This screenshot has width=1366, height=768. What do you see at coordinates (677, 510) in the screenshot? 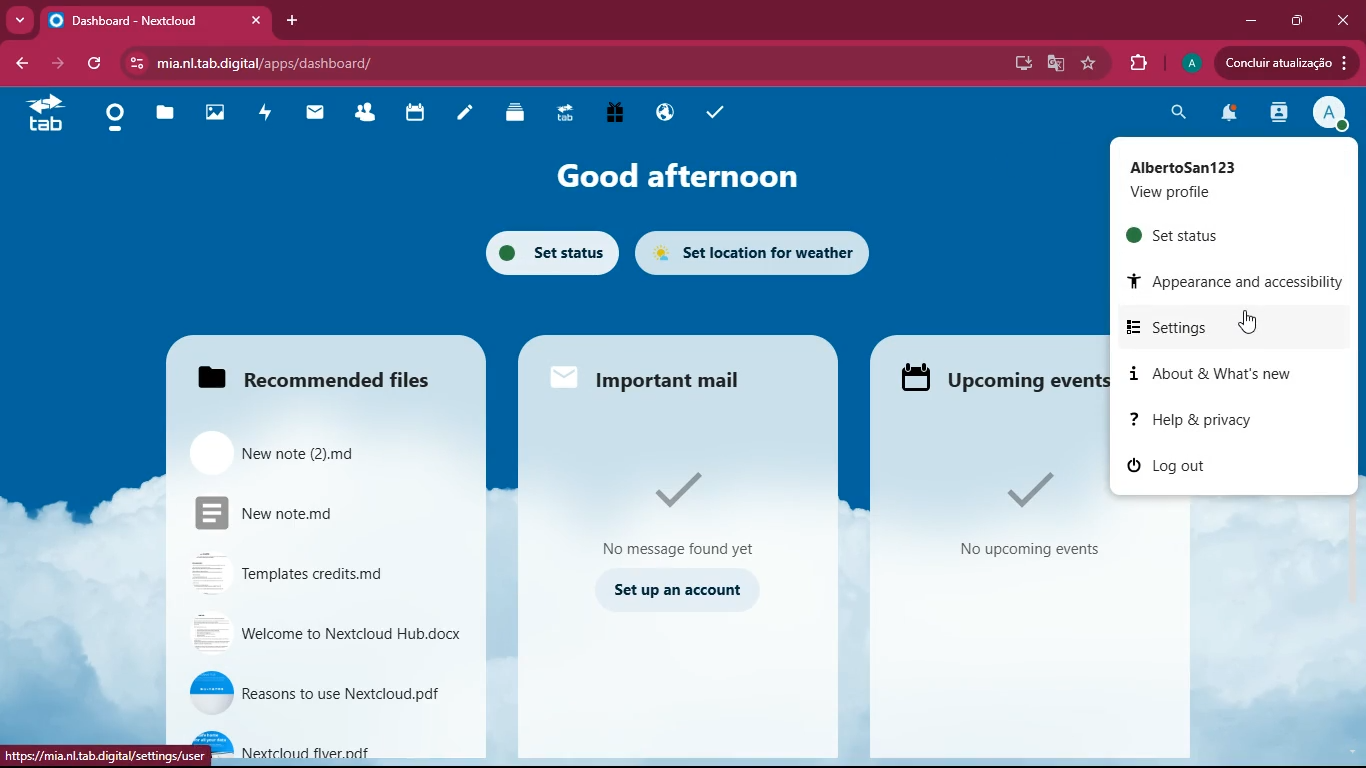
I see `message` at bounding box center [677, 510].